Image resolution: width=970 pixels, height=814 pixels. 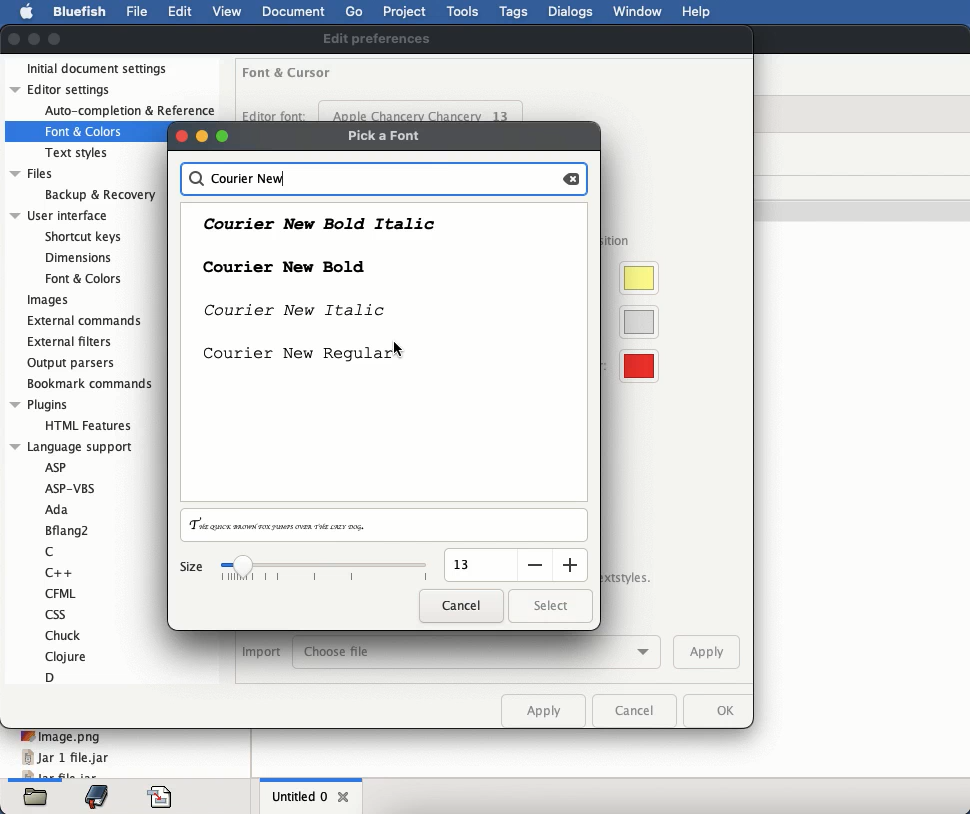 What do you see at coordinates (195, 177) in the screenshot?
I see `search` at bounding box center [195, 177].